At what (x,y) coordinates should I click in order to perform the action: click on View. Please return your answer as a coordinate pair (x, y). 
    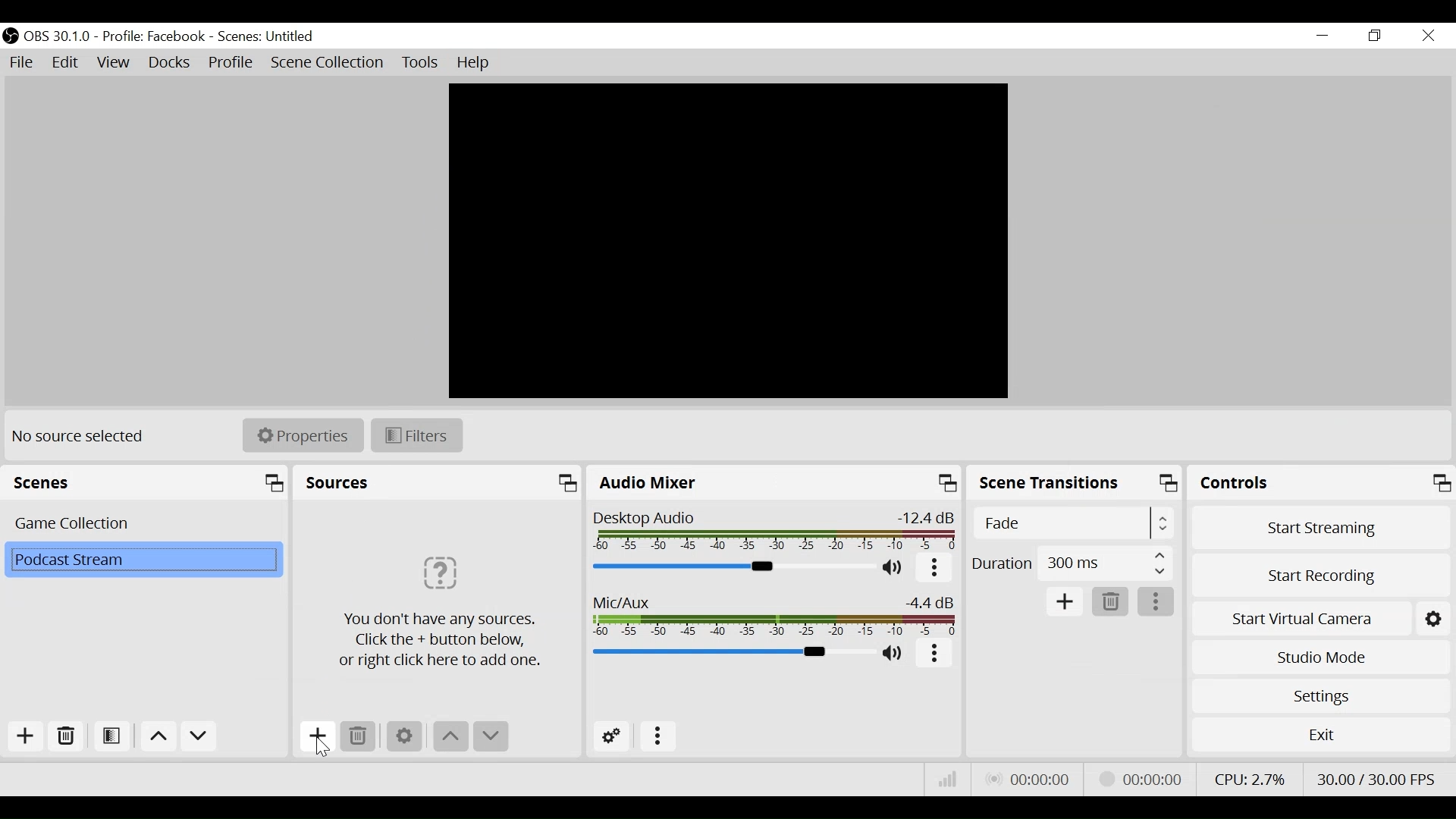
    Looking at the image, I should click on (115, 63).